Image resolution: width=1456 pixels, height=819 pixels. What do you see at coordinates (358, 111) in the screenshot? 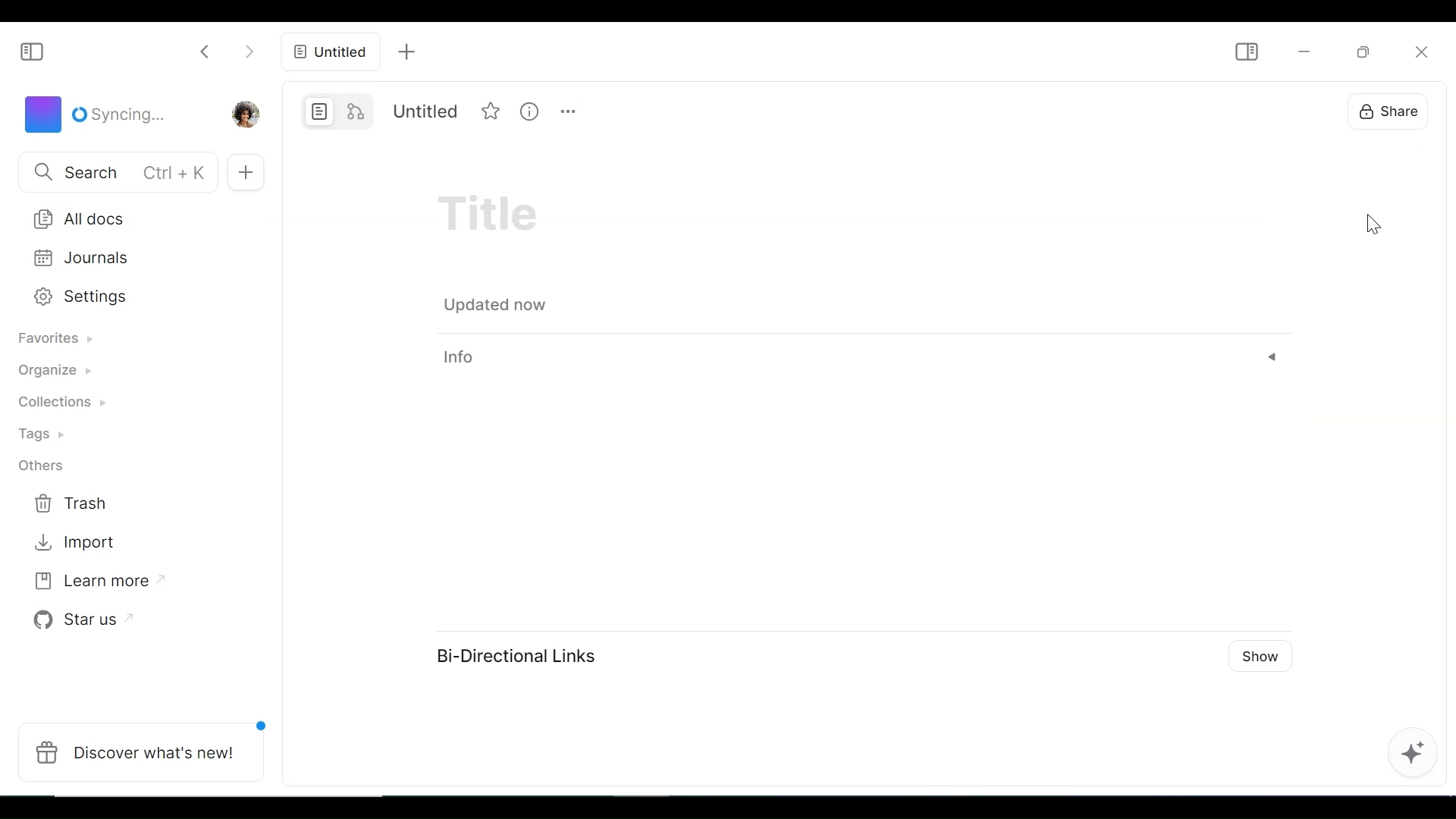
I see `Edgeless mode` at bounding box center [358, 111].